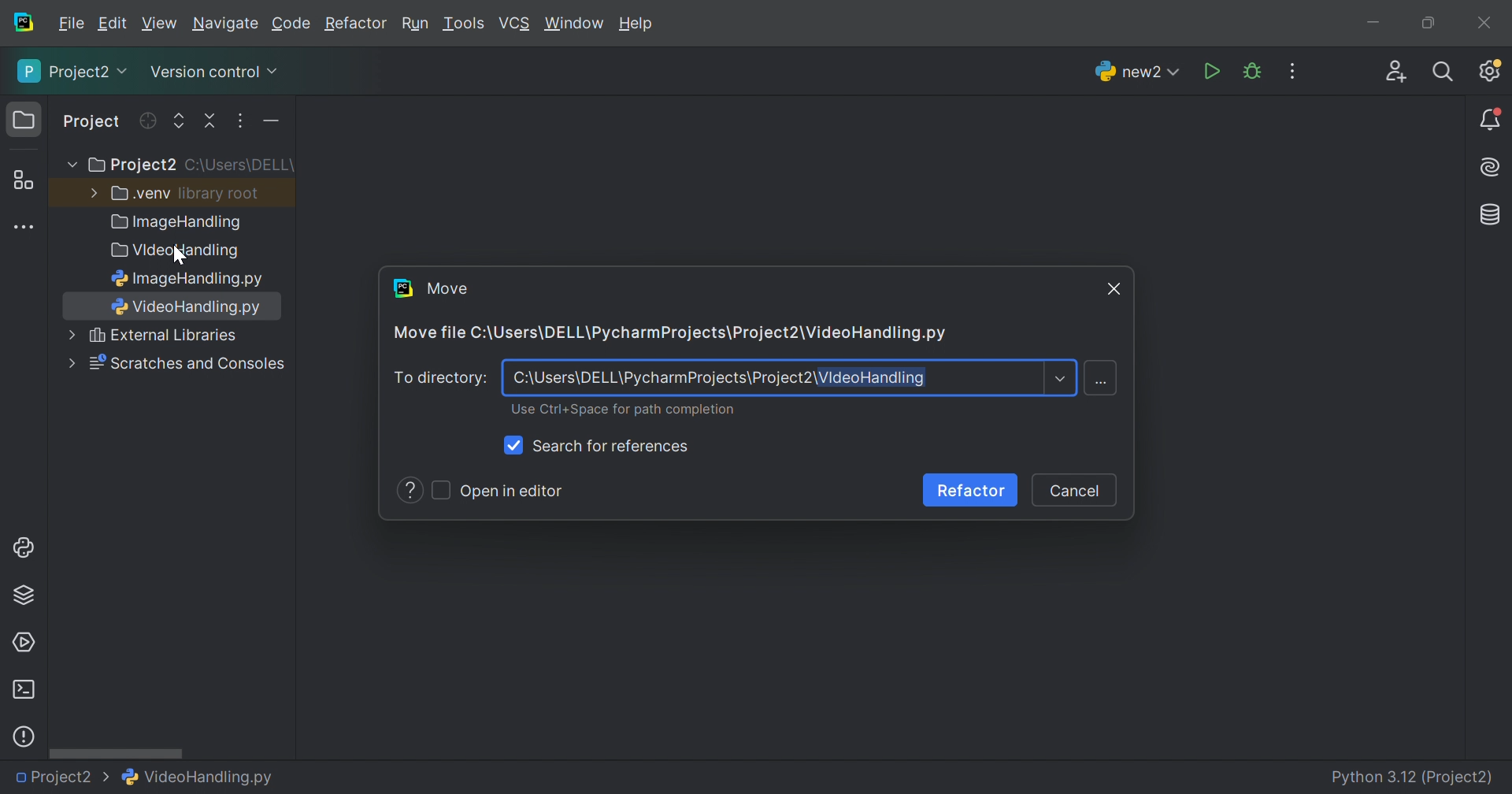  What do you see at coordinates (183, 278) in the screenshot?
I see `imagehandling.py` at bounding box center [183, 278].